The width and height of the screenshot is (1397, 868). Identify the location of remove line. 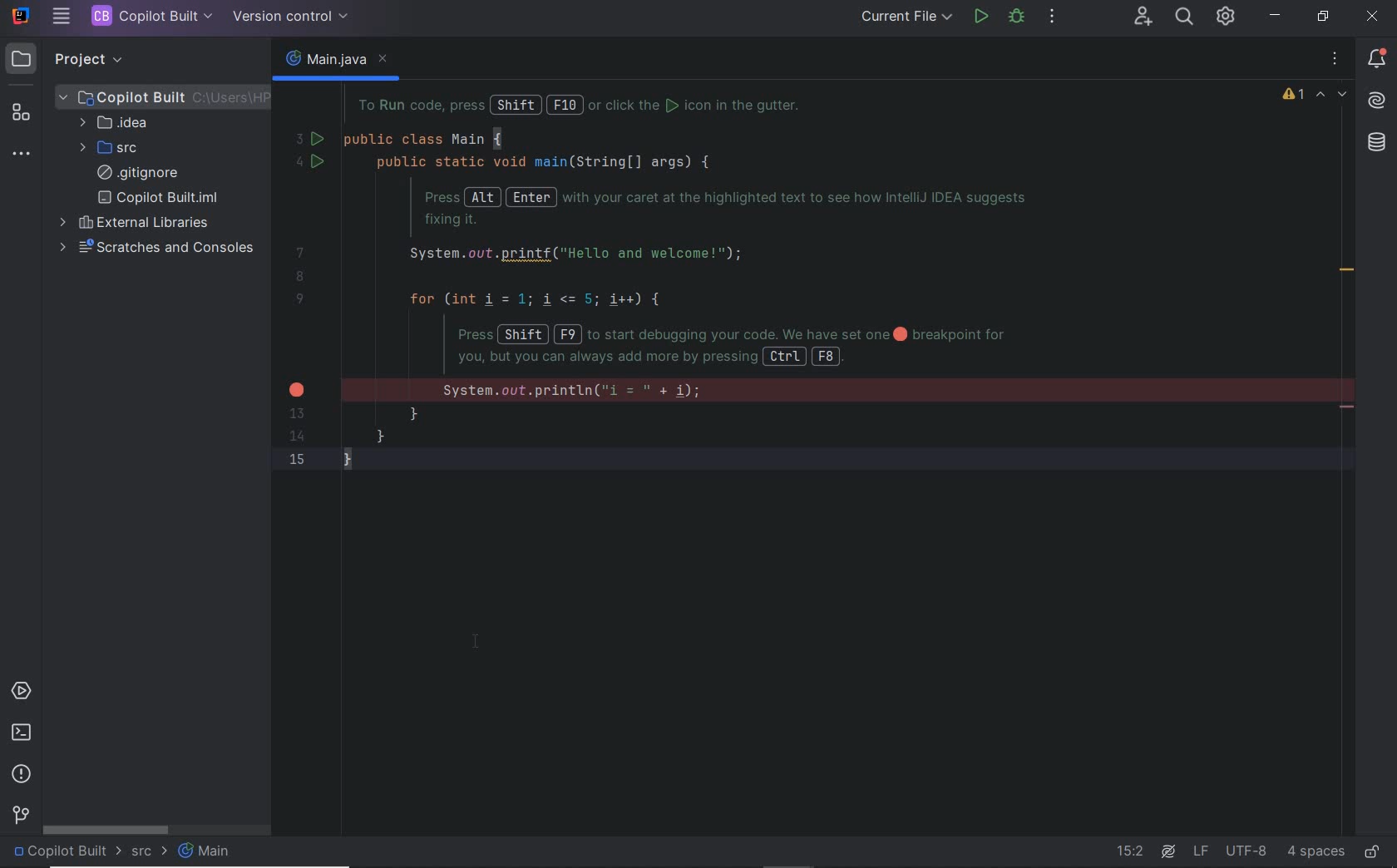
(1349, 407).